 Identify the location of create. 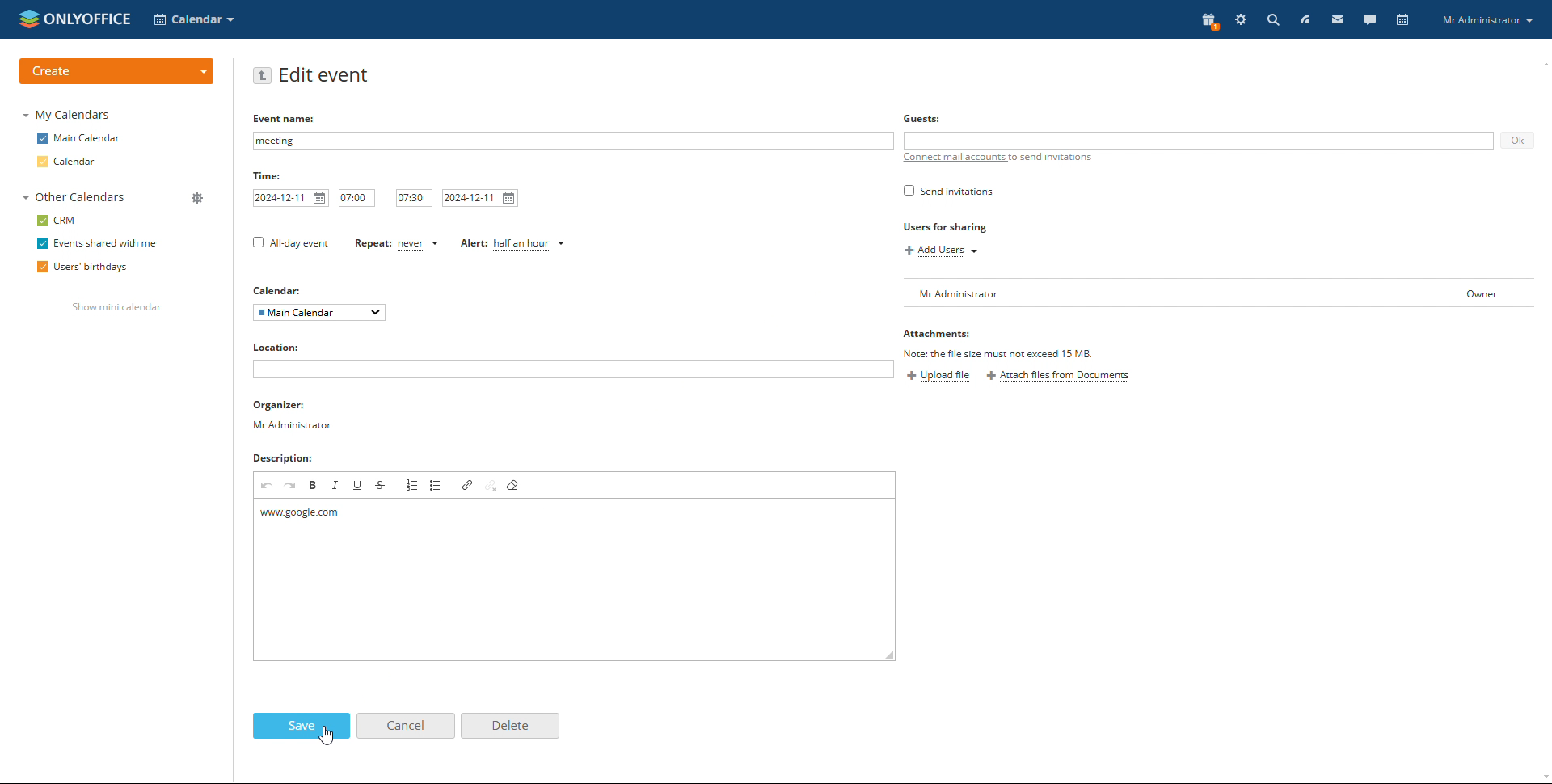
(116, 72).